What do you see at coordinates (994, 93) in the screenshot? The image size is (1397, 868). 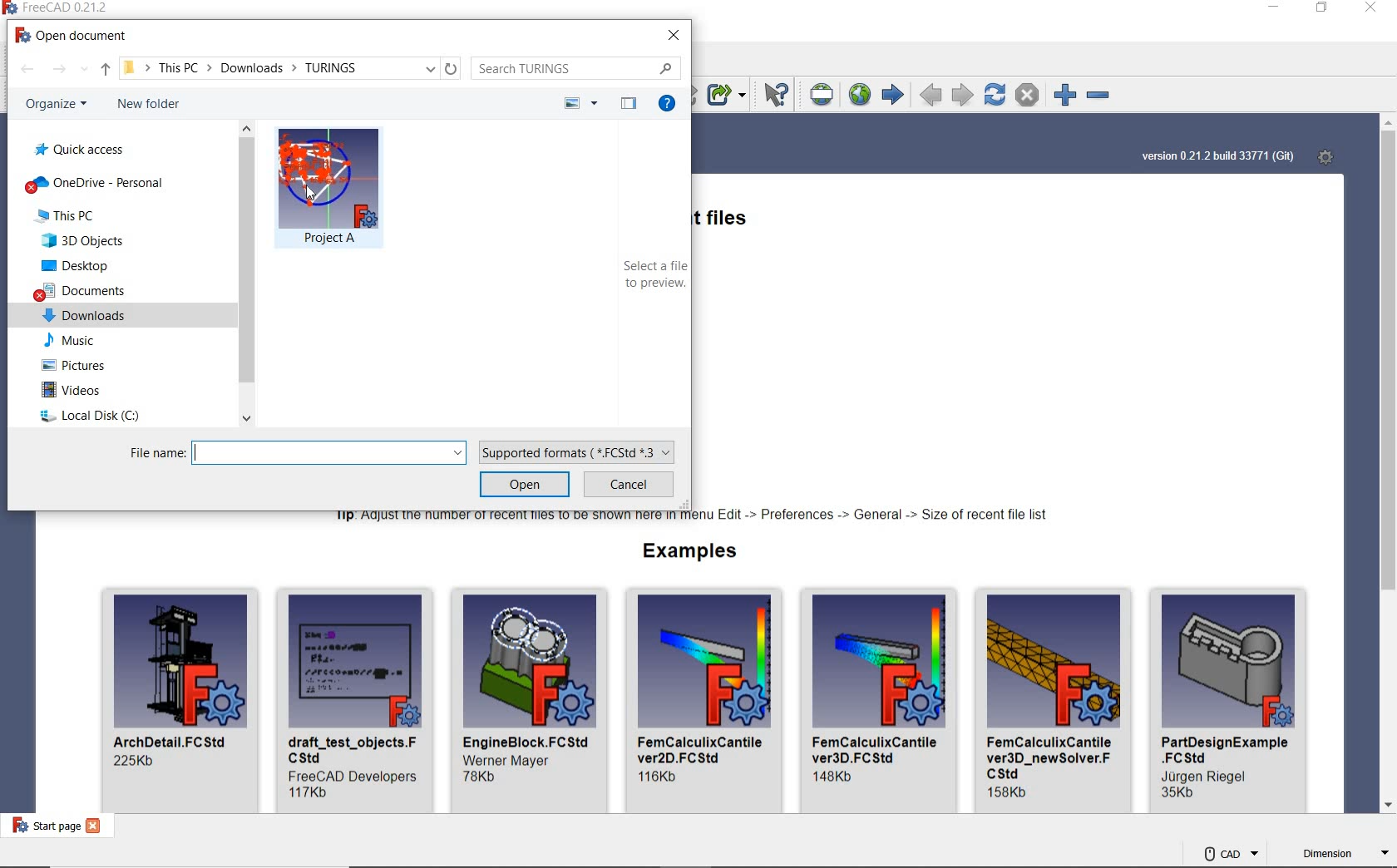 I see `REFRESH WEBPAGE` at bounding box center [994, 93].